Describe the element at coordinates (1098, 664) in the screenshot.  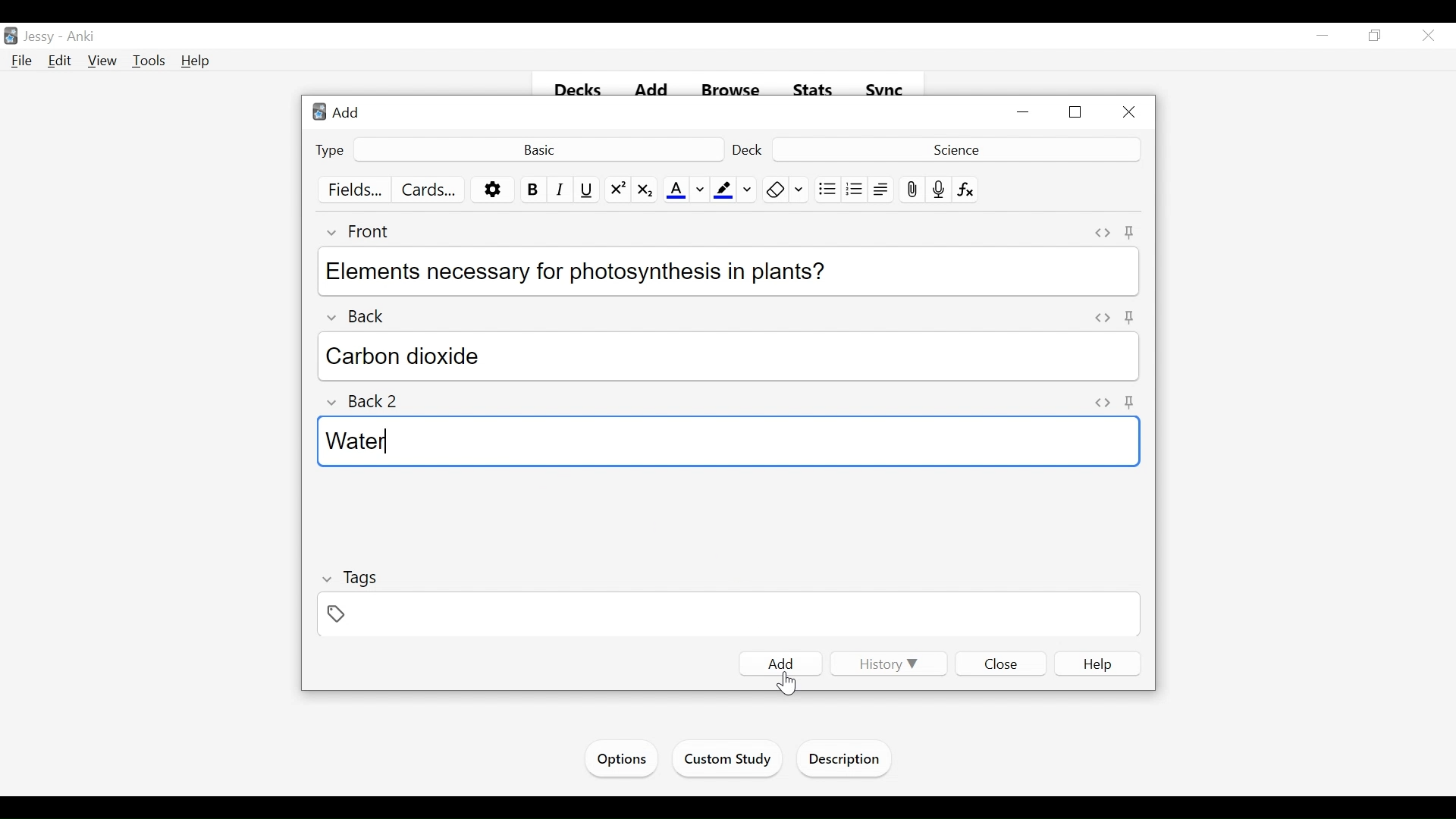
I see `Help` at that location.